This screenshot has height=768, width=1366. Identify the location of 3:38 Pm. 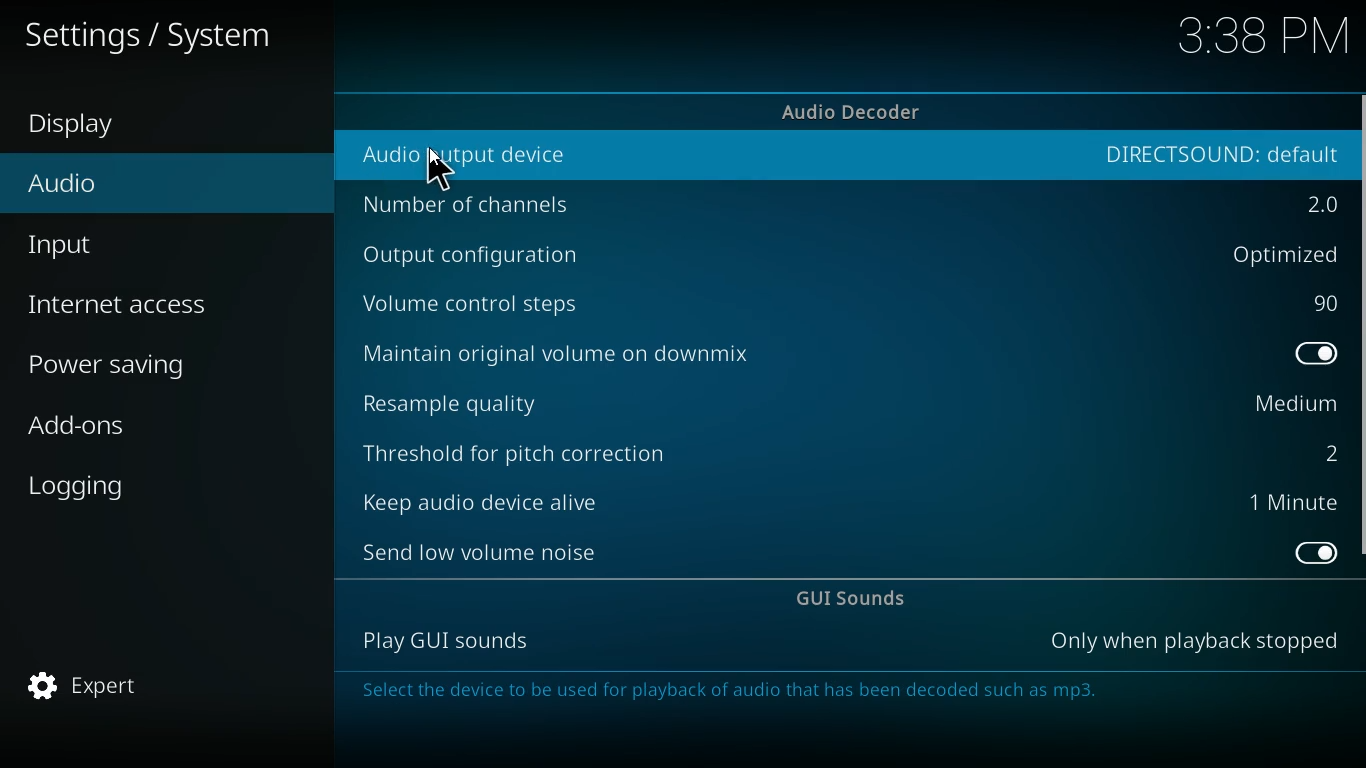
(1255, 39).